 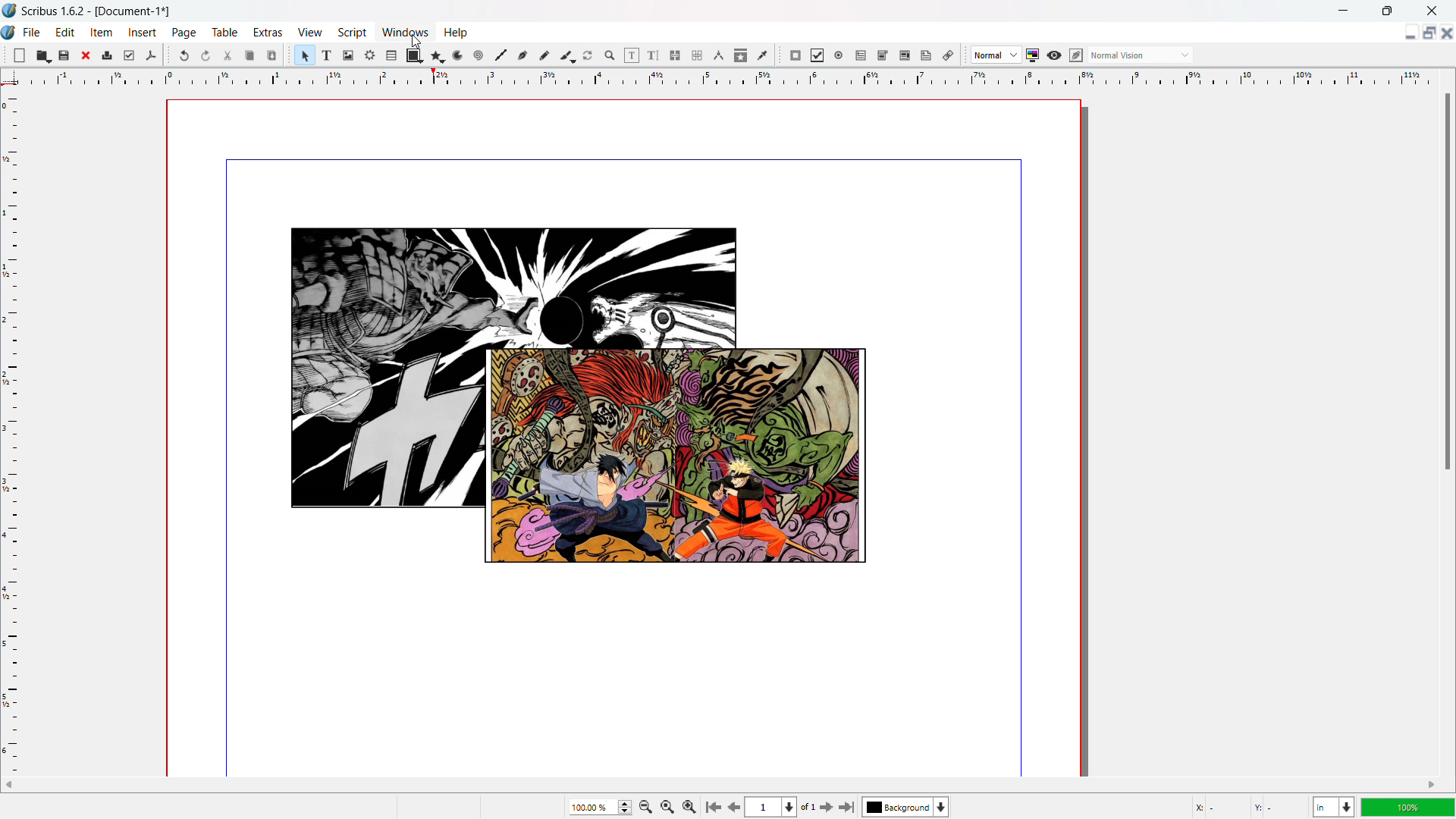 What do you see at coordinates (107, 55) in the screenshot?
I see `print` at bounding box center [107, 55].